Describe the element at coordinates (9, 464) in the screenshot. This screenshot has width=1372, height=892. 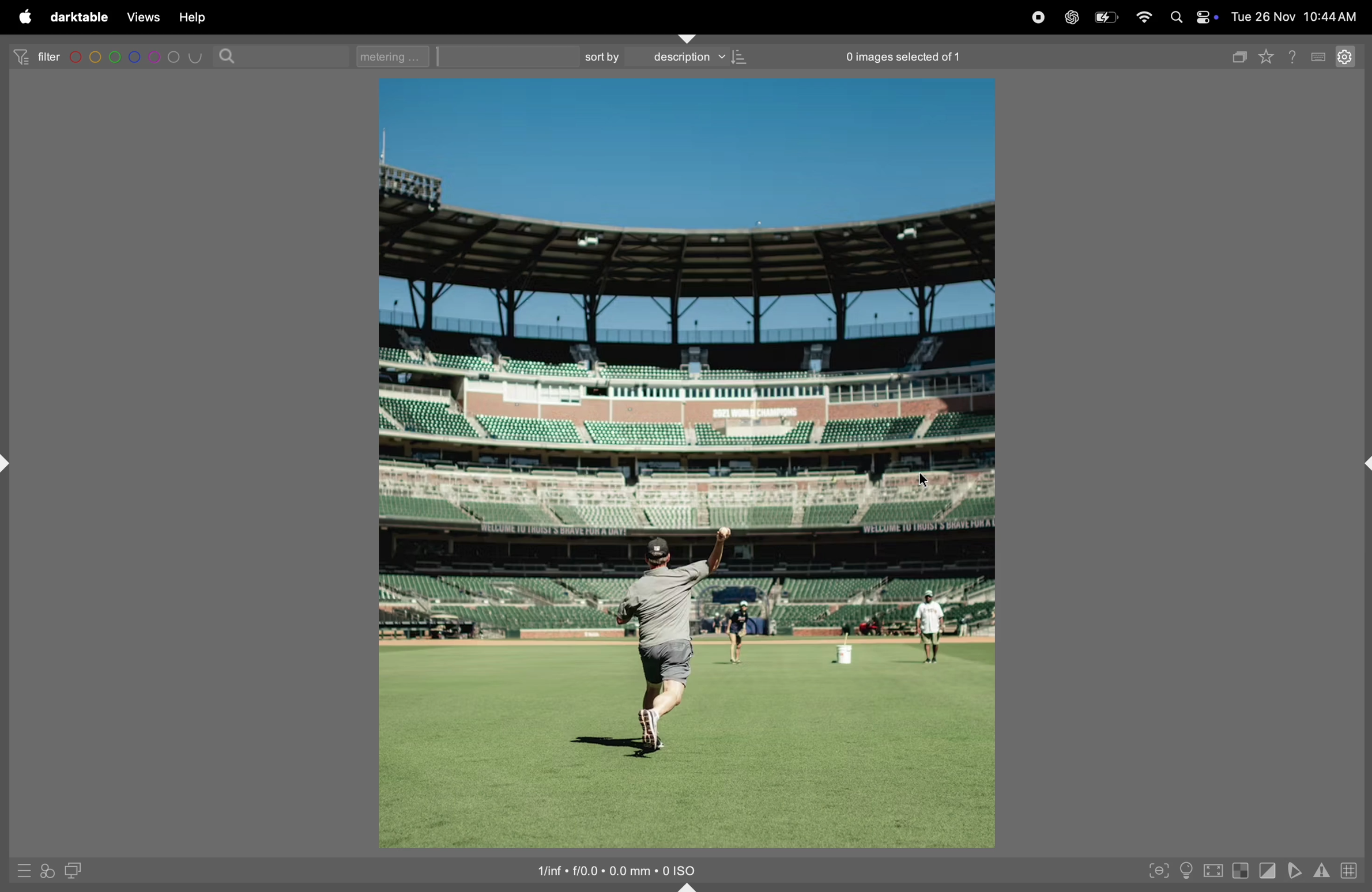
I see `shift+ctrl+l` at that location.